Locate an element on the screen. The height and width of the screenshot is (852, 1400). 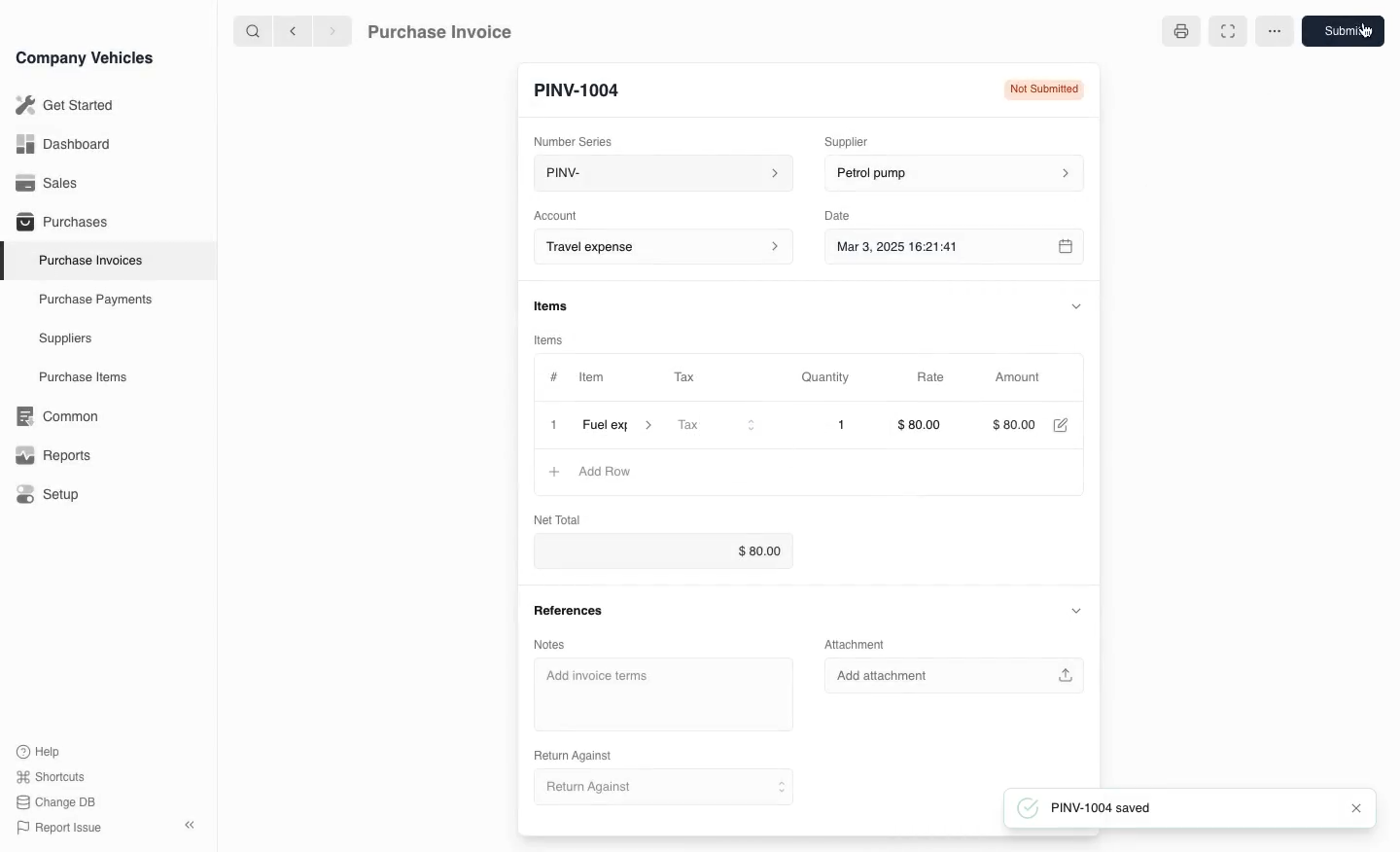
Shortcuts is located at coordinates (52, 778).